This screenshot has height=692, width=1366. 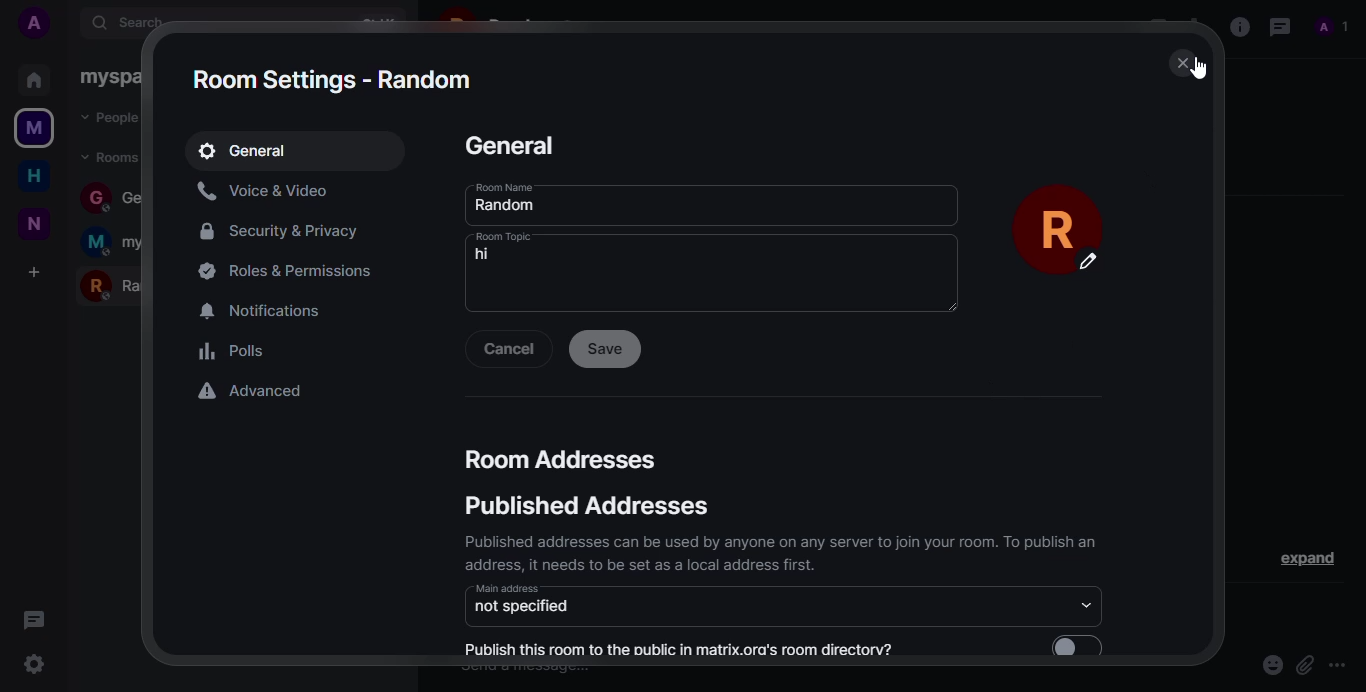 I want to click on new, so click(x=33, y=225).